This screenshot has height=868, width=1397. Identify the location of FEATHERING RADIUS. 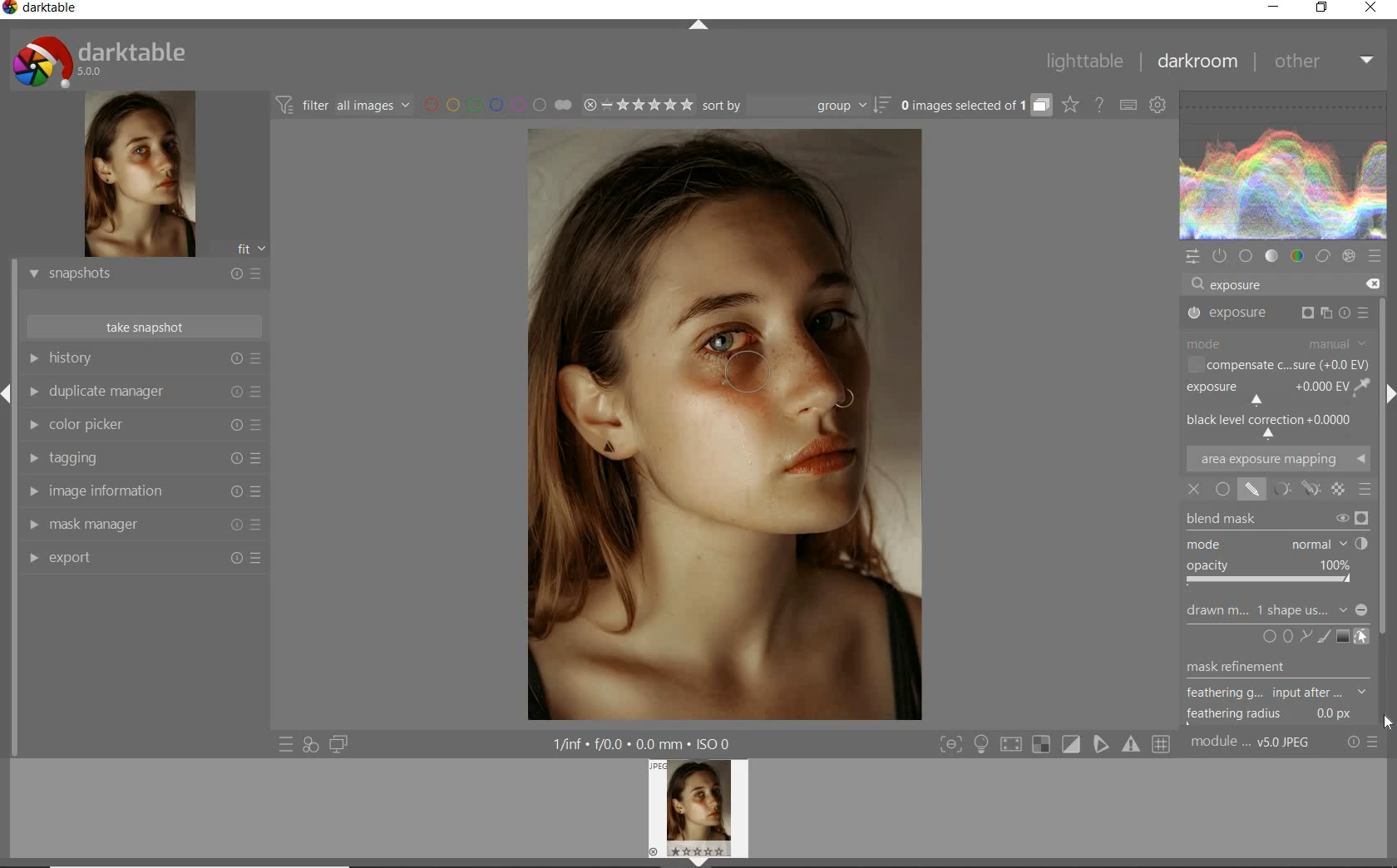
(1275, 714).